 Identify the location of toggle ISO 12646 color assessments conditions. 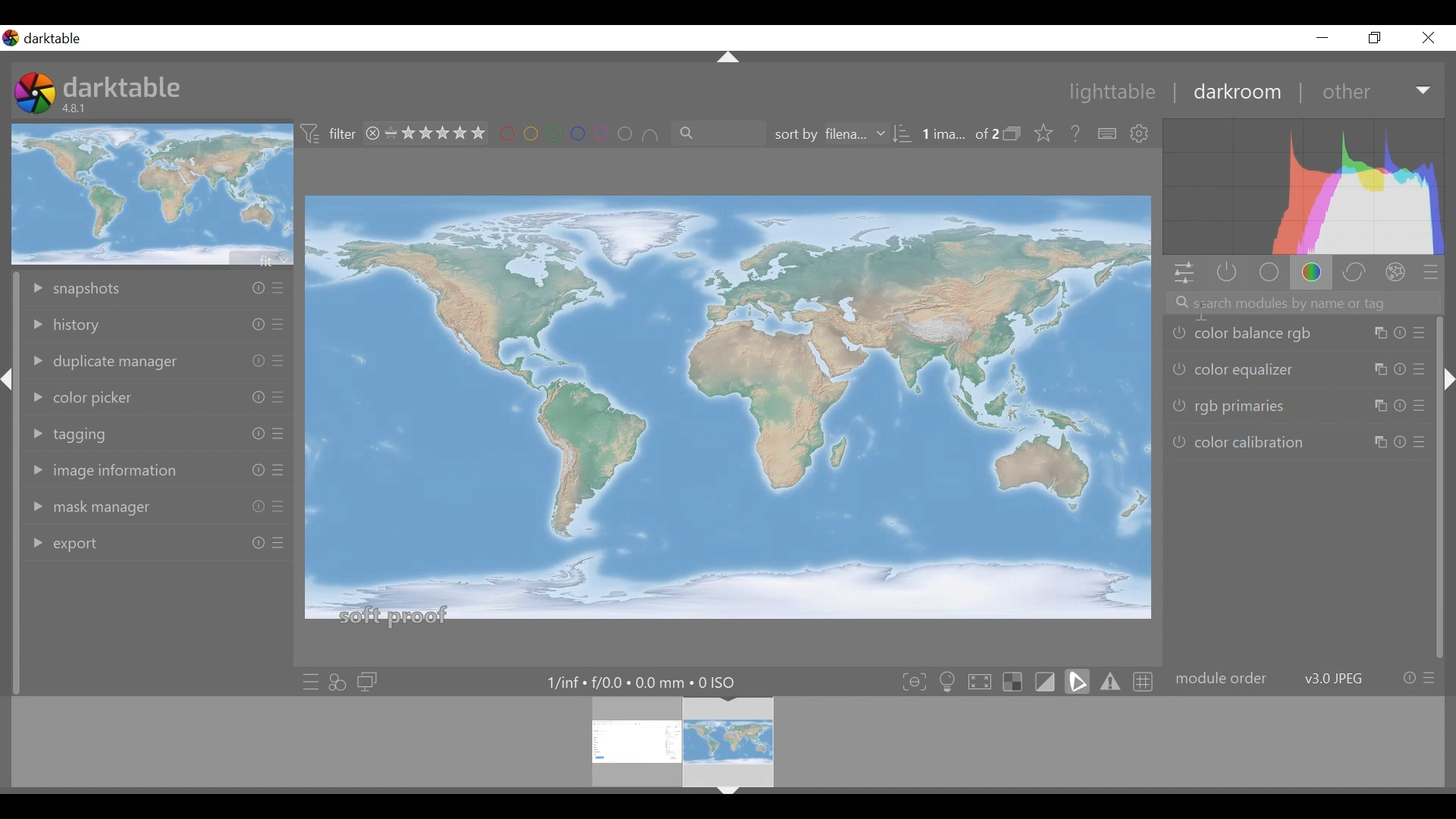
(949, 680).